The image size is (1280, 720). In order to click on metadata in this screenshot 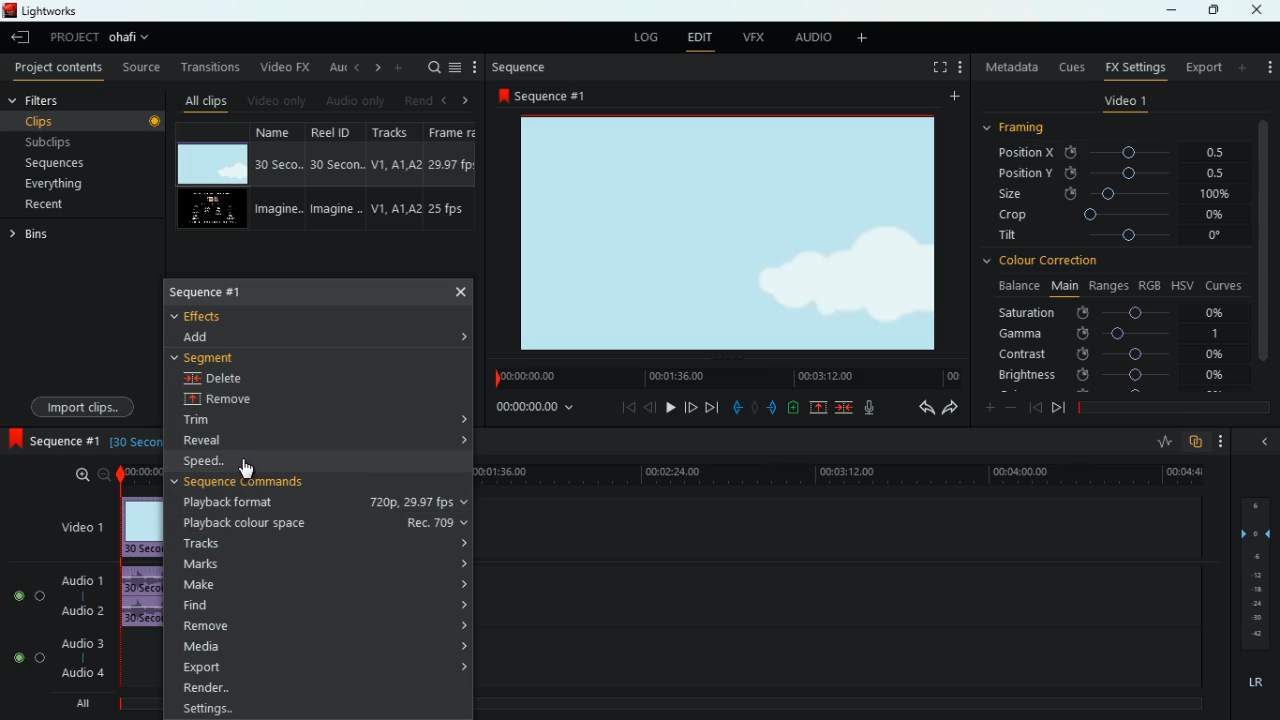, I will do `click(1009, 69)`.